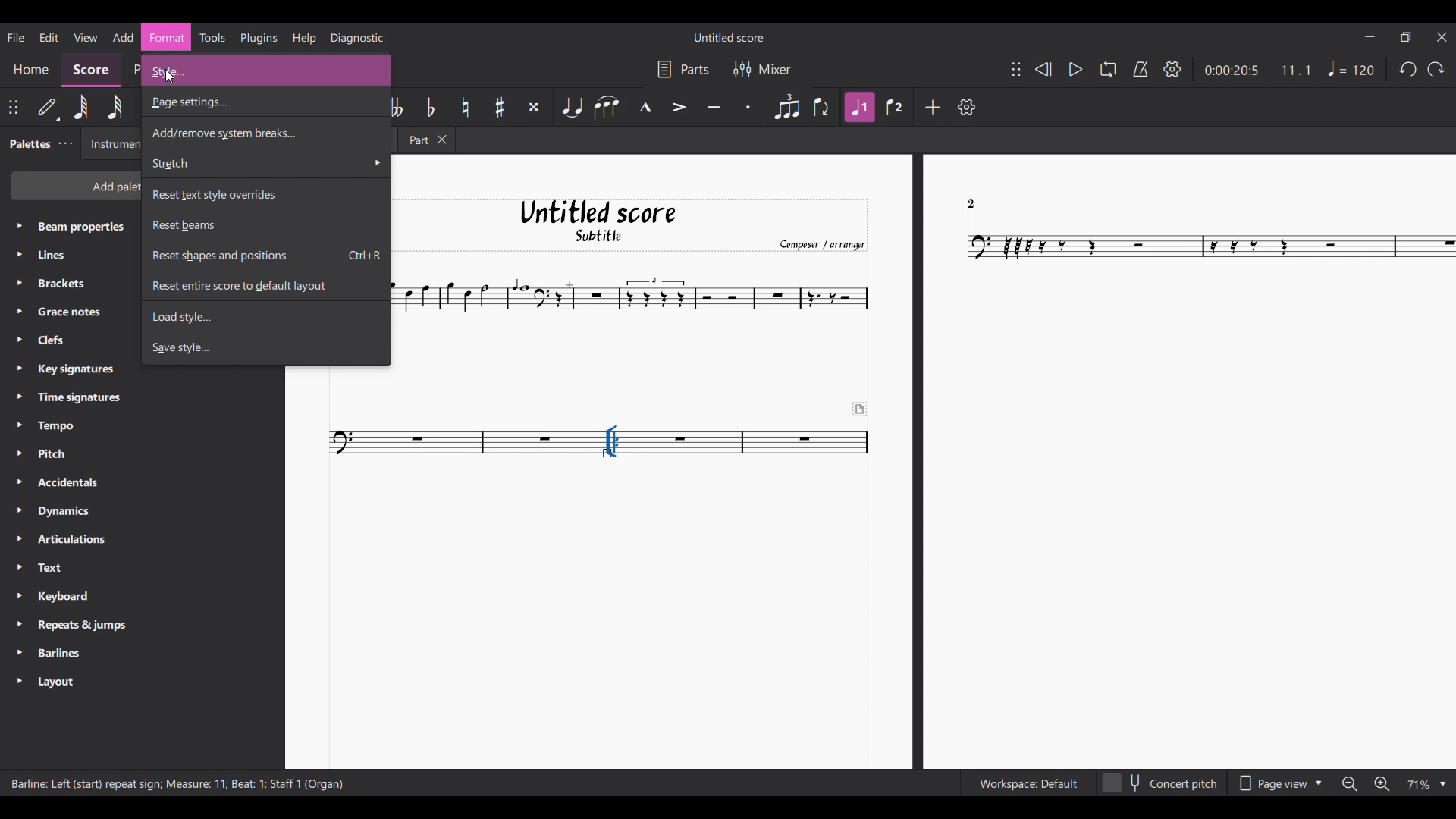 The width and height of the screenshot is (1456, 819). I want to click on Change position of toolbar, so click(1016, 69).